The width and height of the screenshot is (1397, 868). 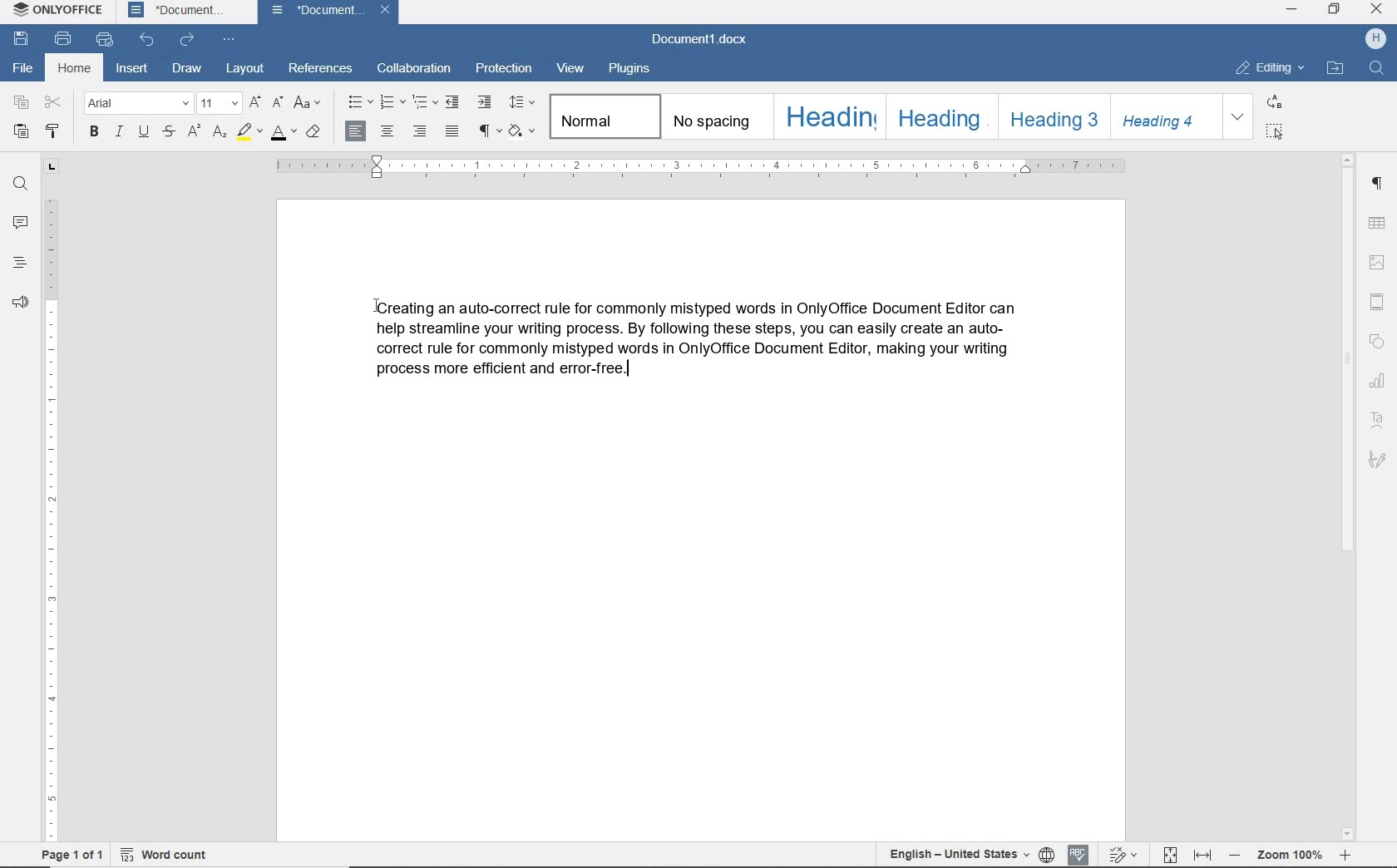 I want to click on track changes, so click(x=1122, y=856).